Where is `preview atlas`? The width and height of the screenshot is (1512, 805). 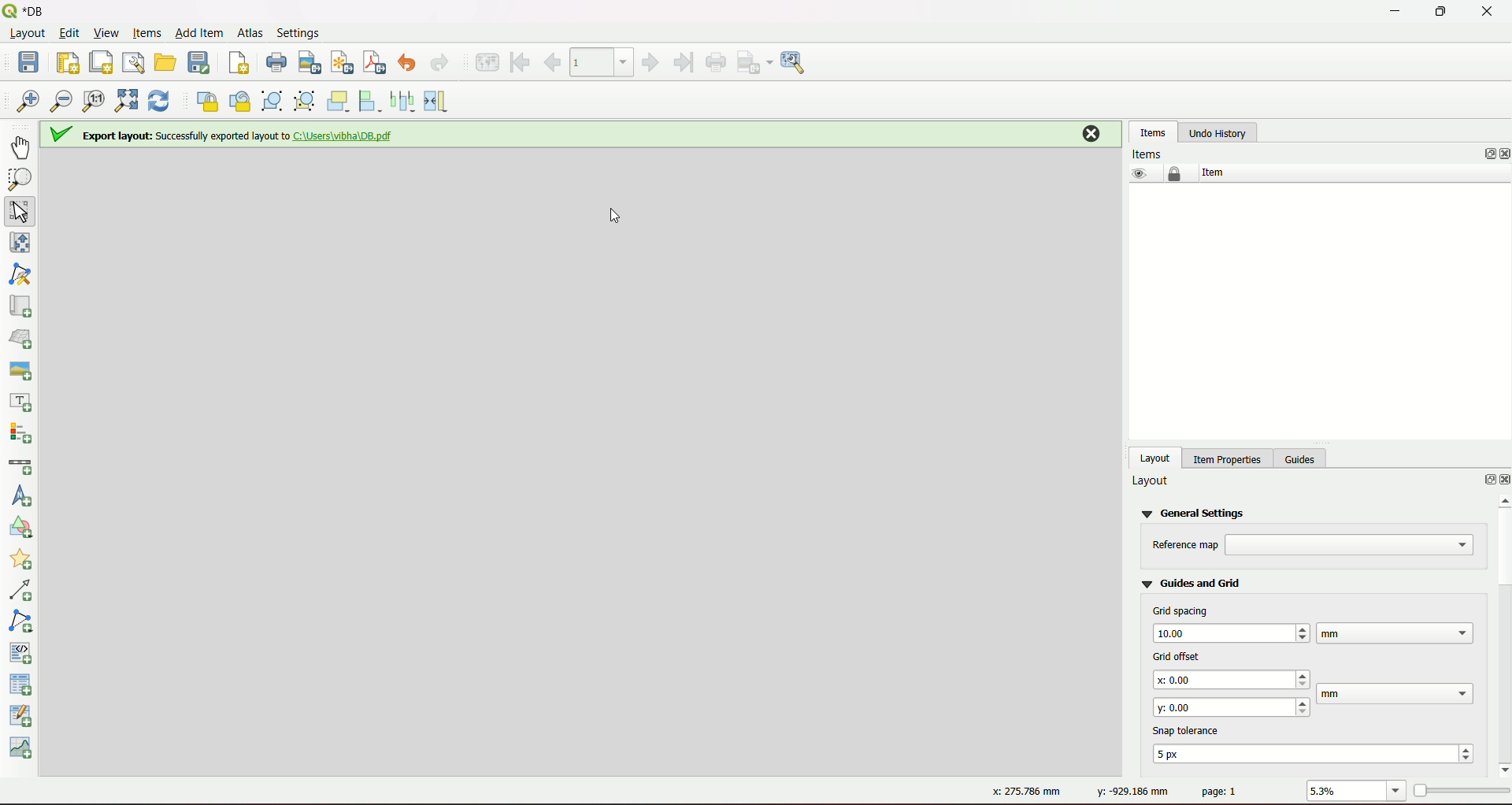
preview atlas is located at coordinates (486, 63).